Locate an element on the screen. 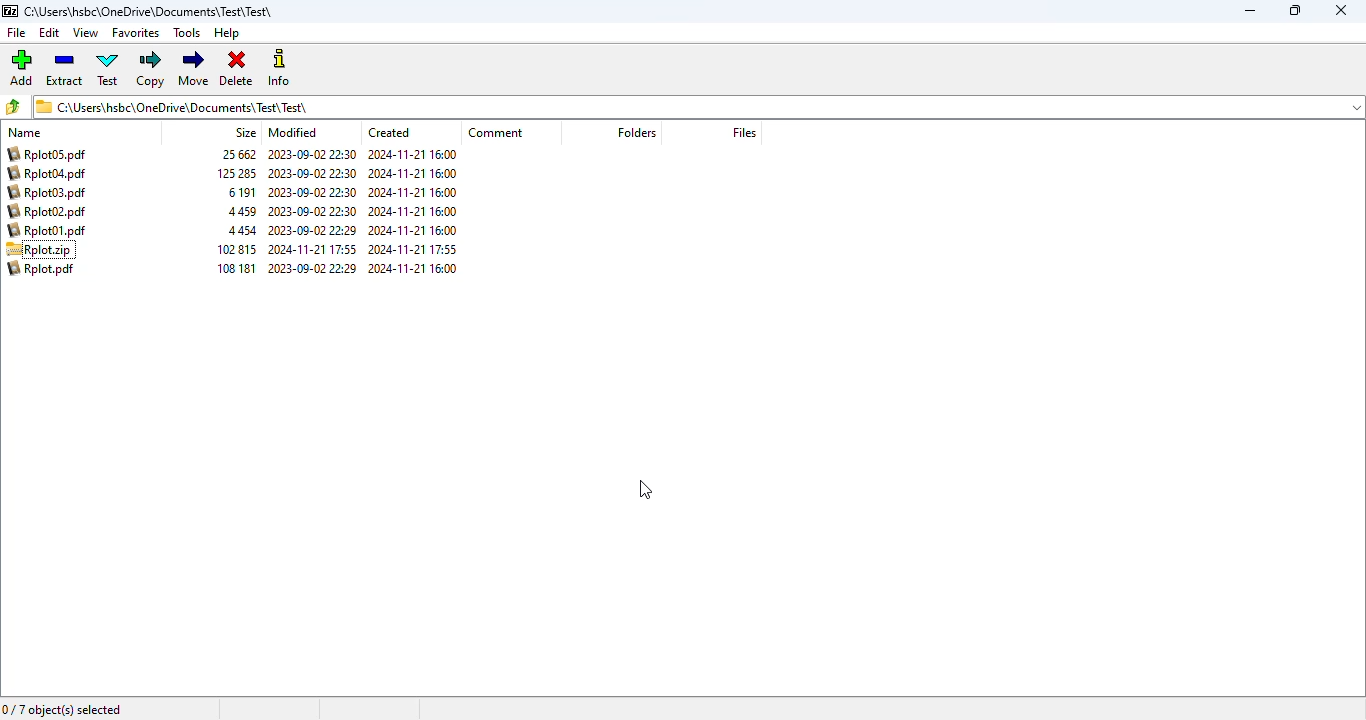 The image size is (1366, 720). 2023-09-02 22:30 is located at coordinates (312, 173).